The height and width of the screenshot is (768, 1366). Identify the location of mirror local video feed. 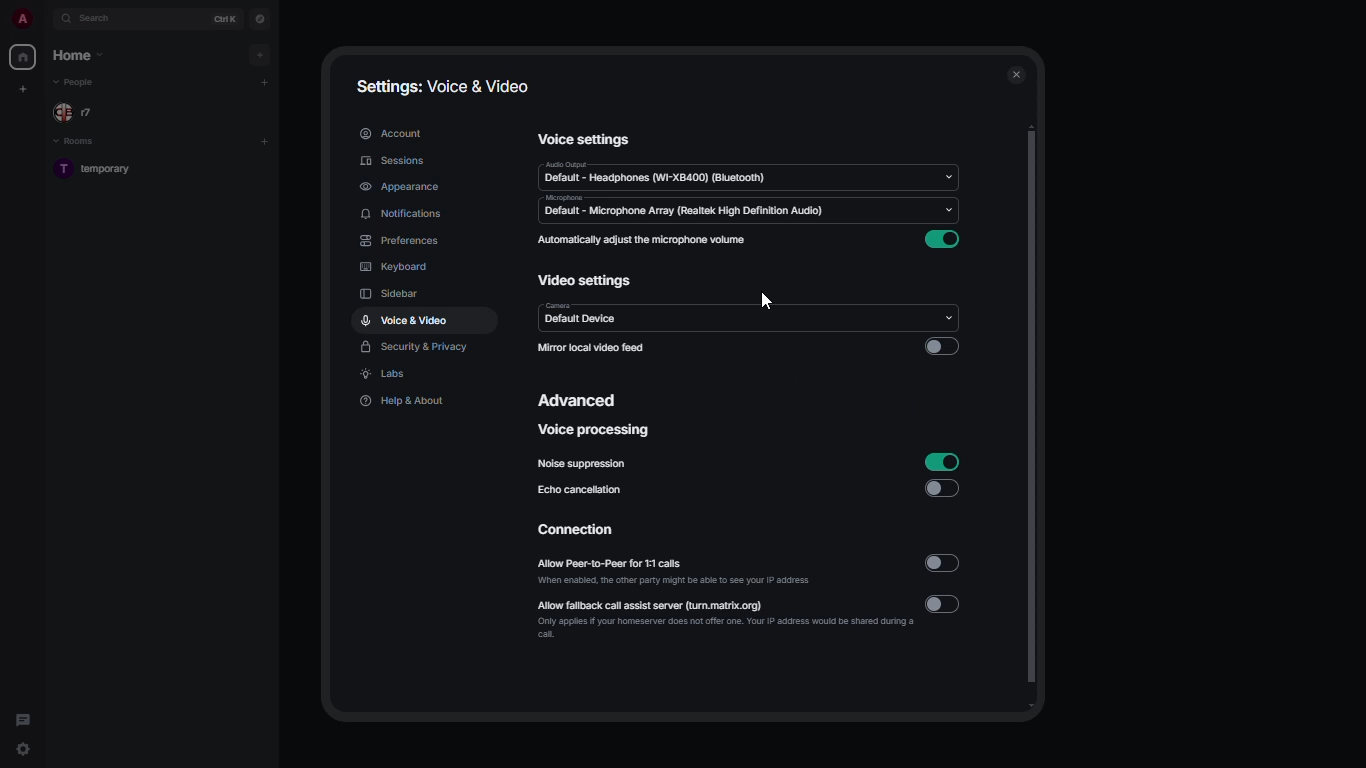
(591, 348).